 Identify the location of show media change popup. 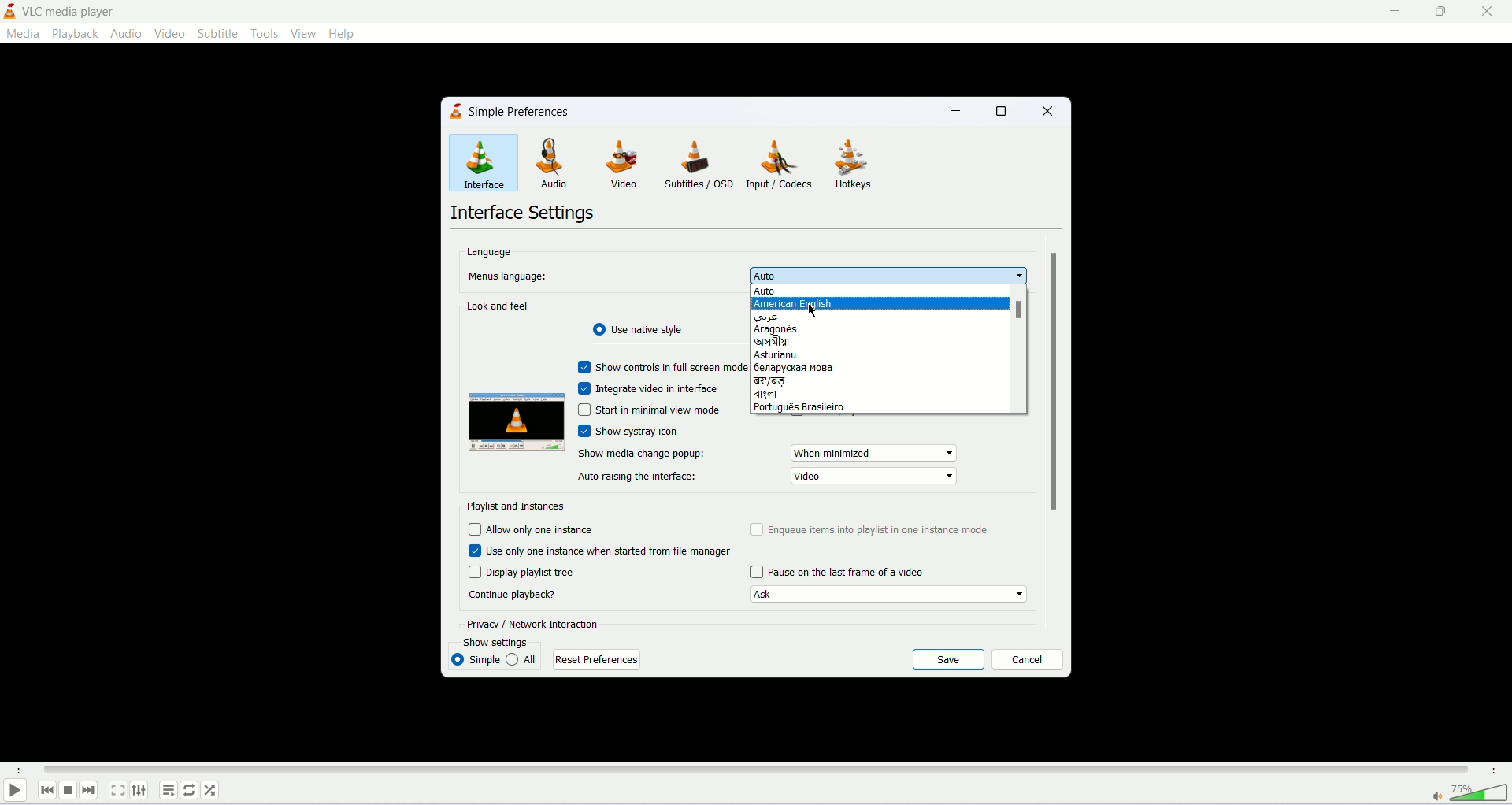
(643, 453).